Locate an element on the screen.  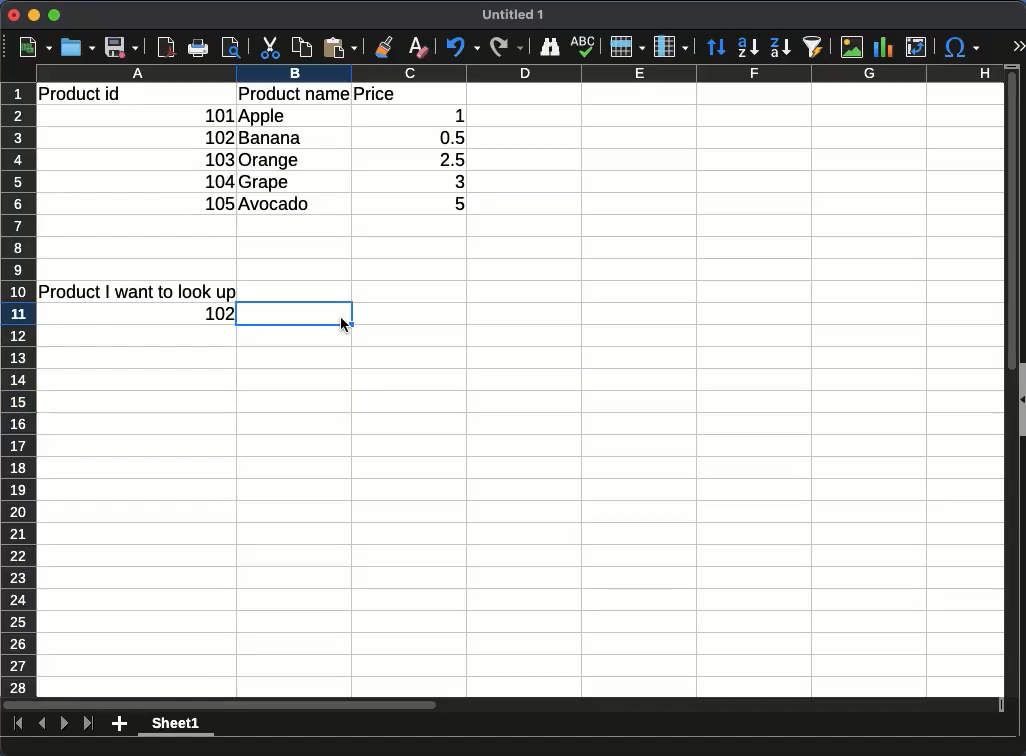
minimize is located at coordinates (34, 15).